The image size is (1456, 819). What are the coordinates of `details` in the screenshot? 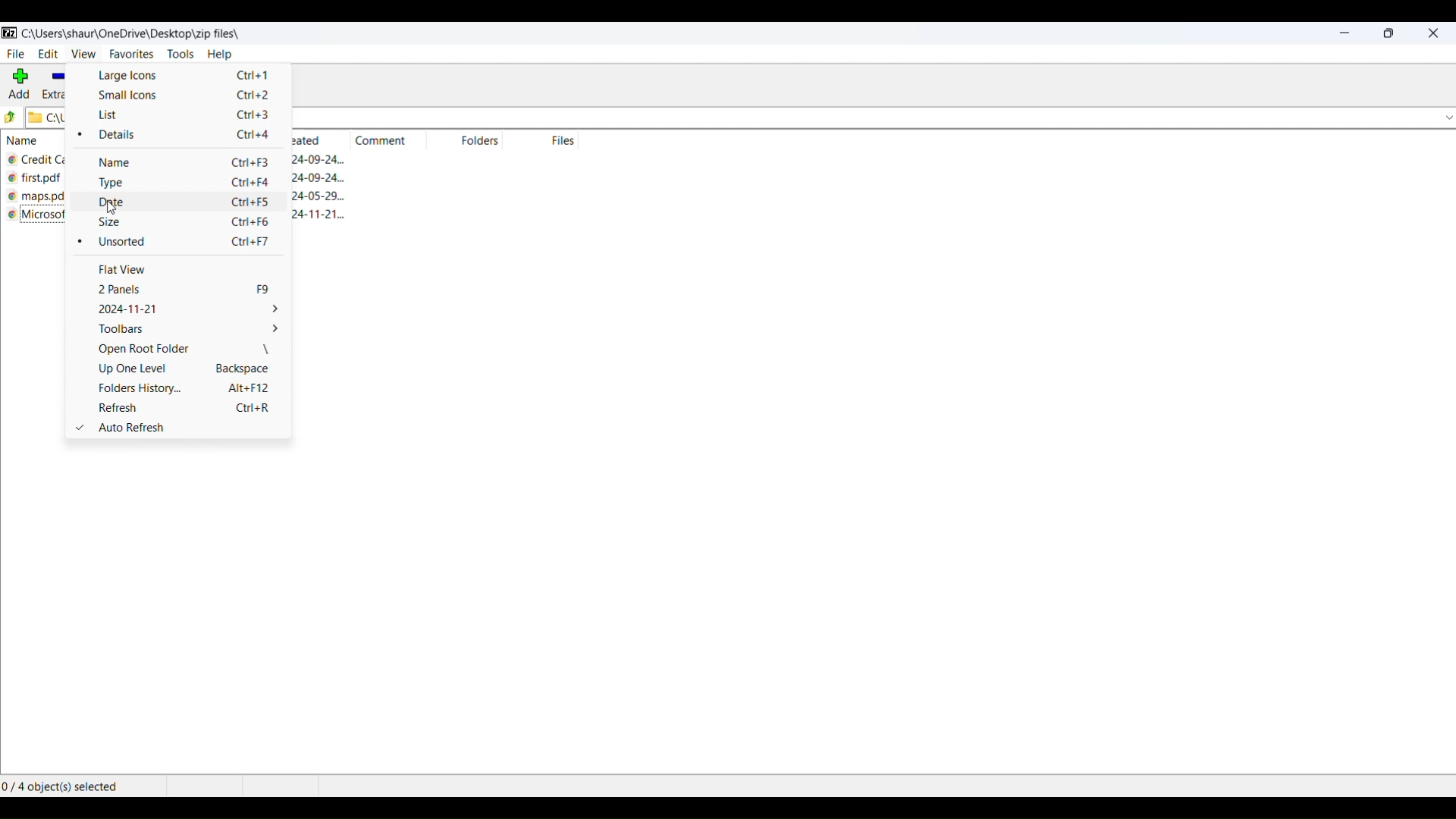 It's located at (177, 136).